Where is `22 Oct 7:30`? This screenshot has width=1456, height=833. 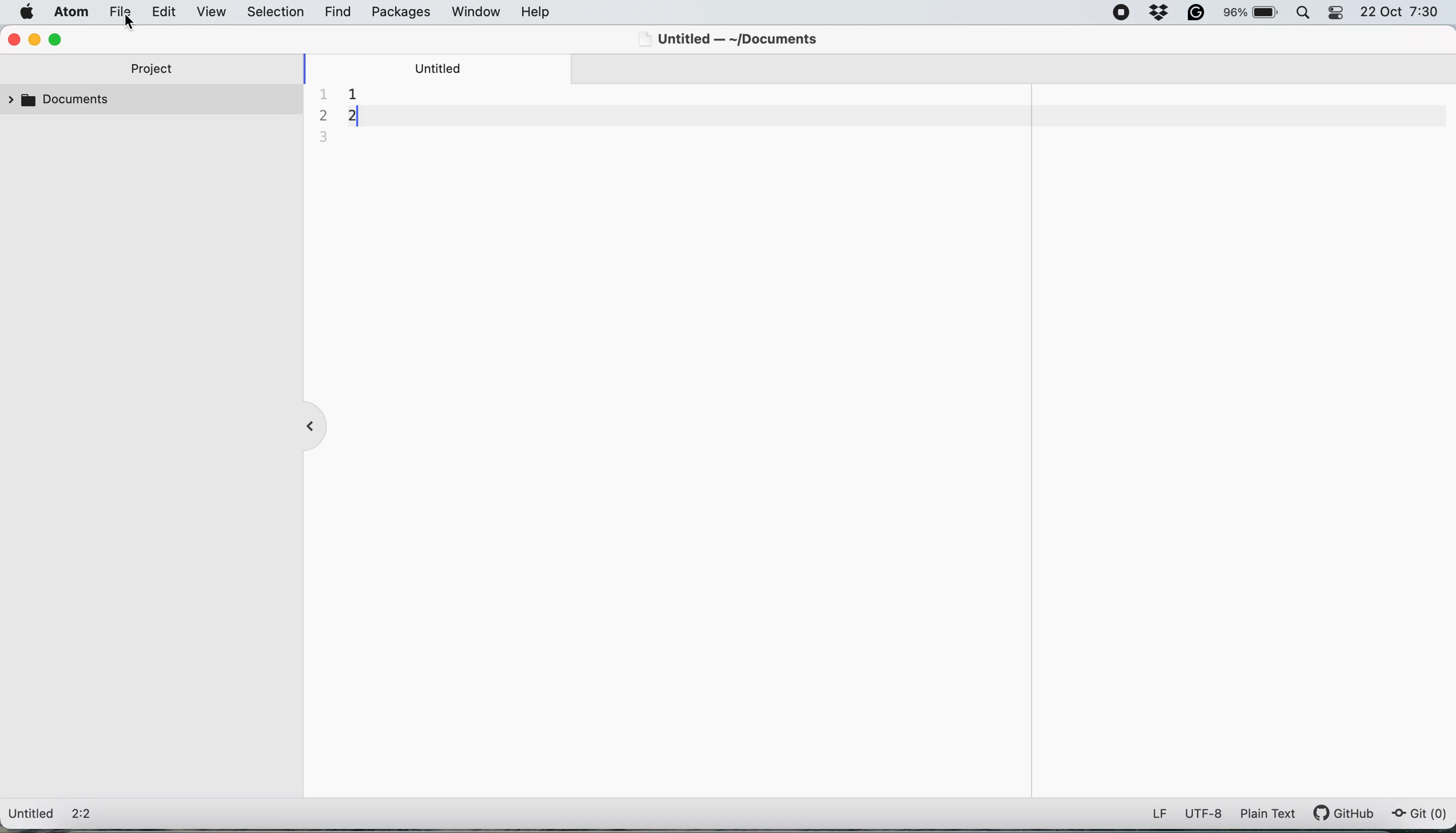
22 Oct 7:30 is located at coordinates (1400, 12).